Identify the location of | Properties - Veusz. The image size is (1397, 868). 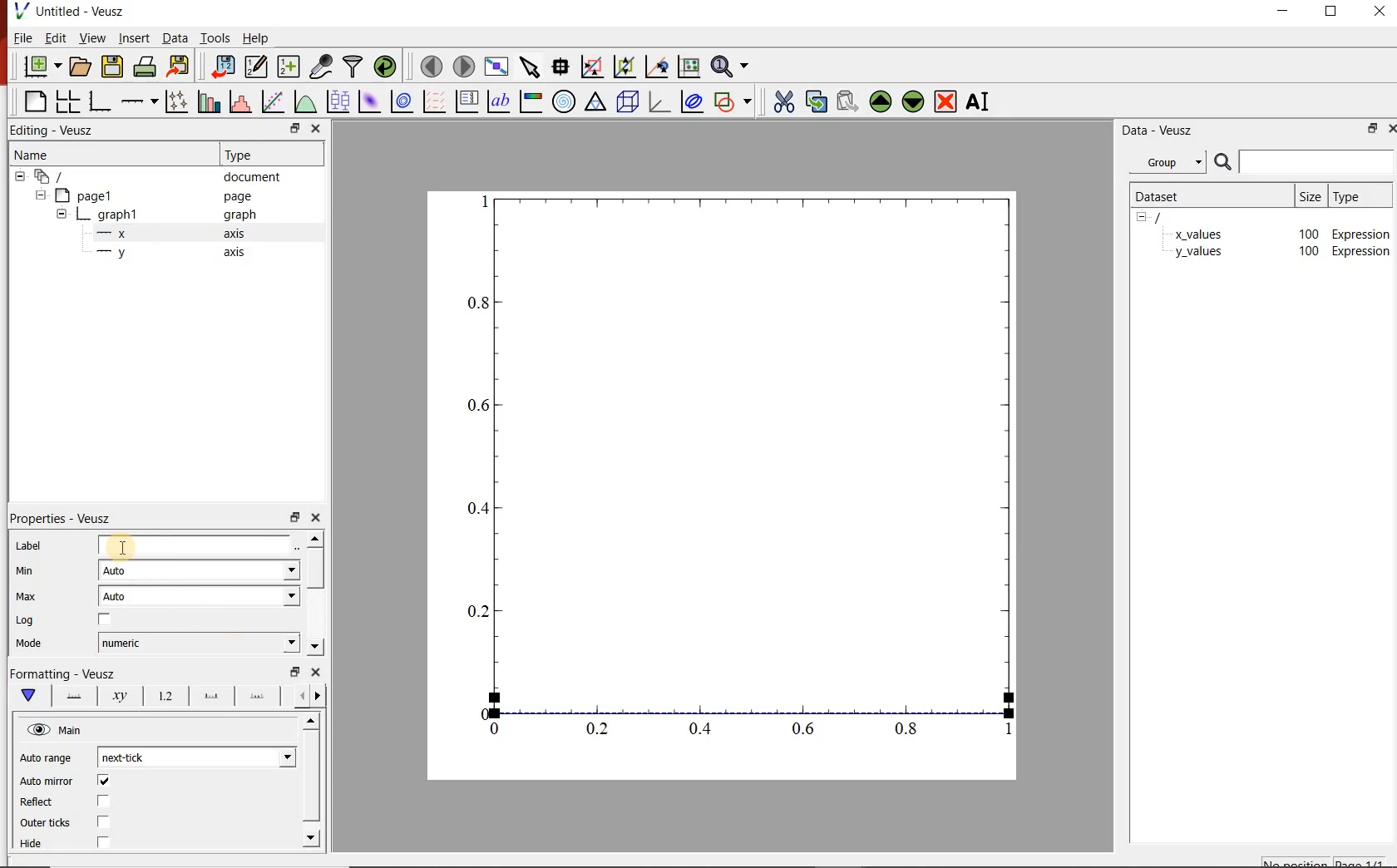
(63, 515).